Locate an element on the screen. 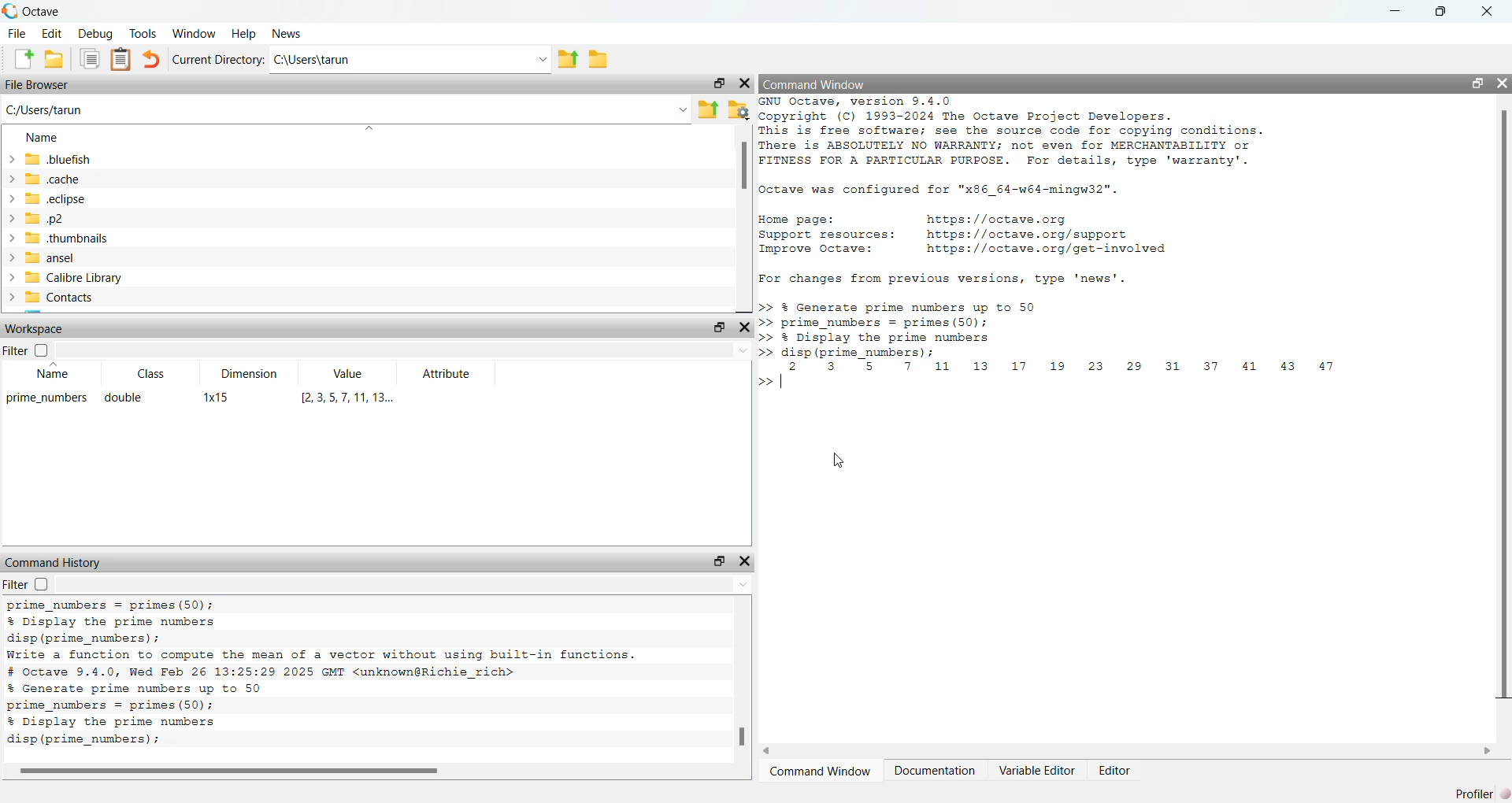 The image size is (1512, 803). scroll bar is located at coordinates (742, 737).